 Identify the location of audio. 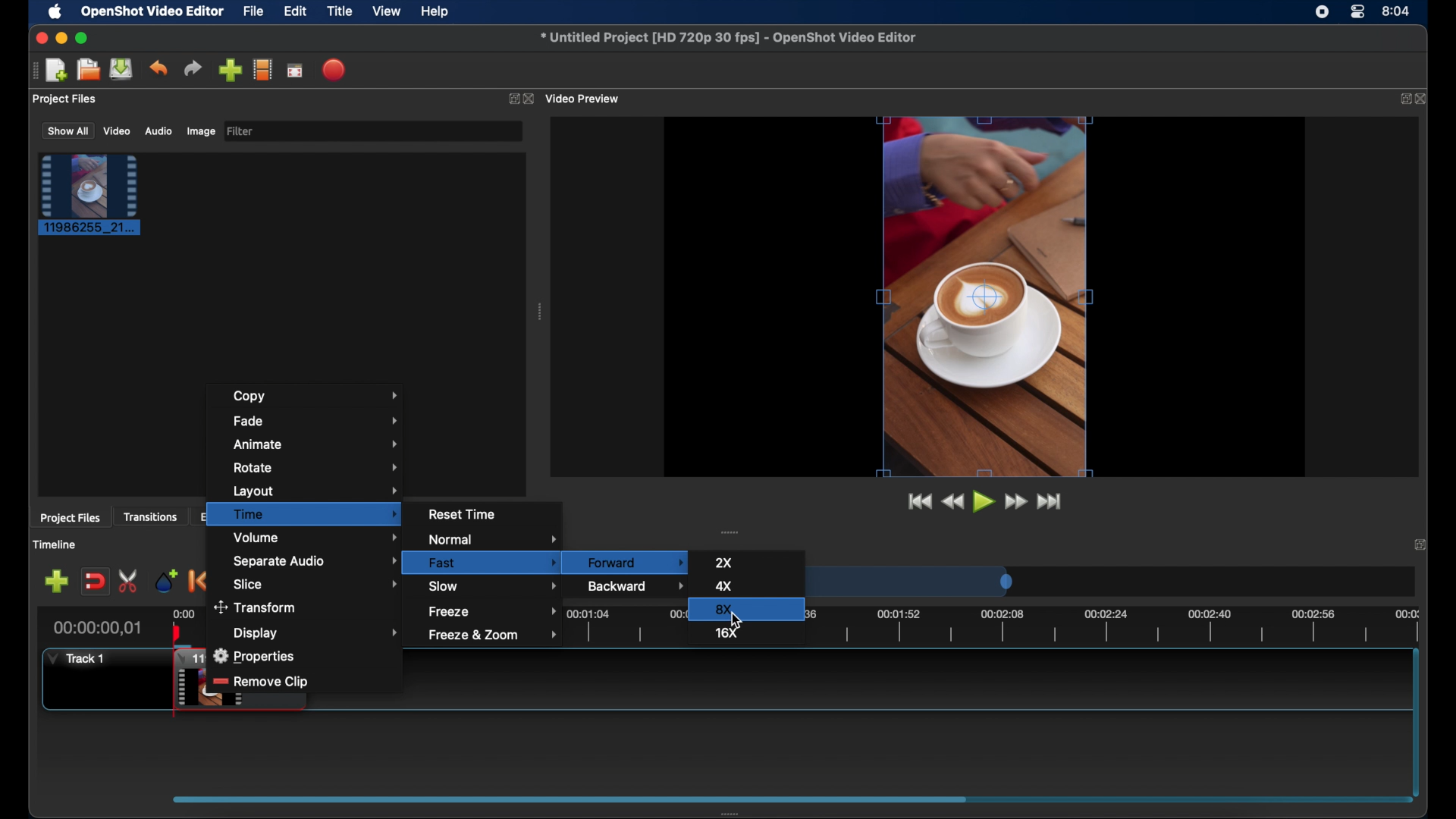
(158, 130).